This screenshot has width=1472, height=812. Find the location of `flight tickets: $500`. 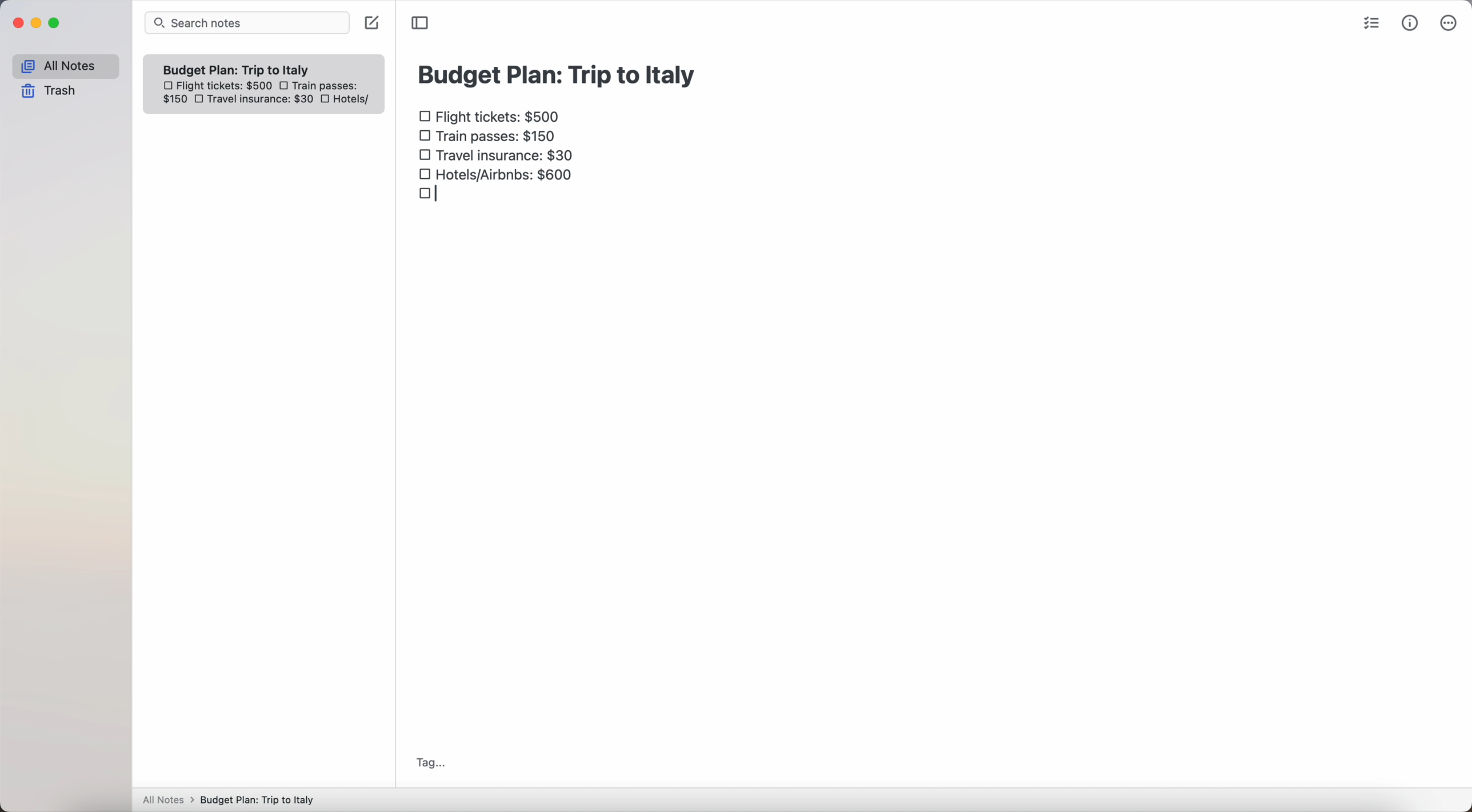

flight tickets: $500 is located at coordinates (217, 87).